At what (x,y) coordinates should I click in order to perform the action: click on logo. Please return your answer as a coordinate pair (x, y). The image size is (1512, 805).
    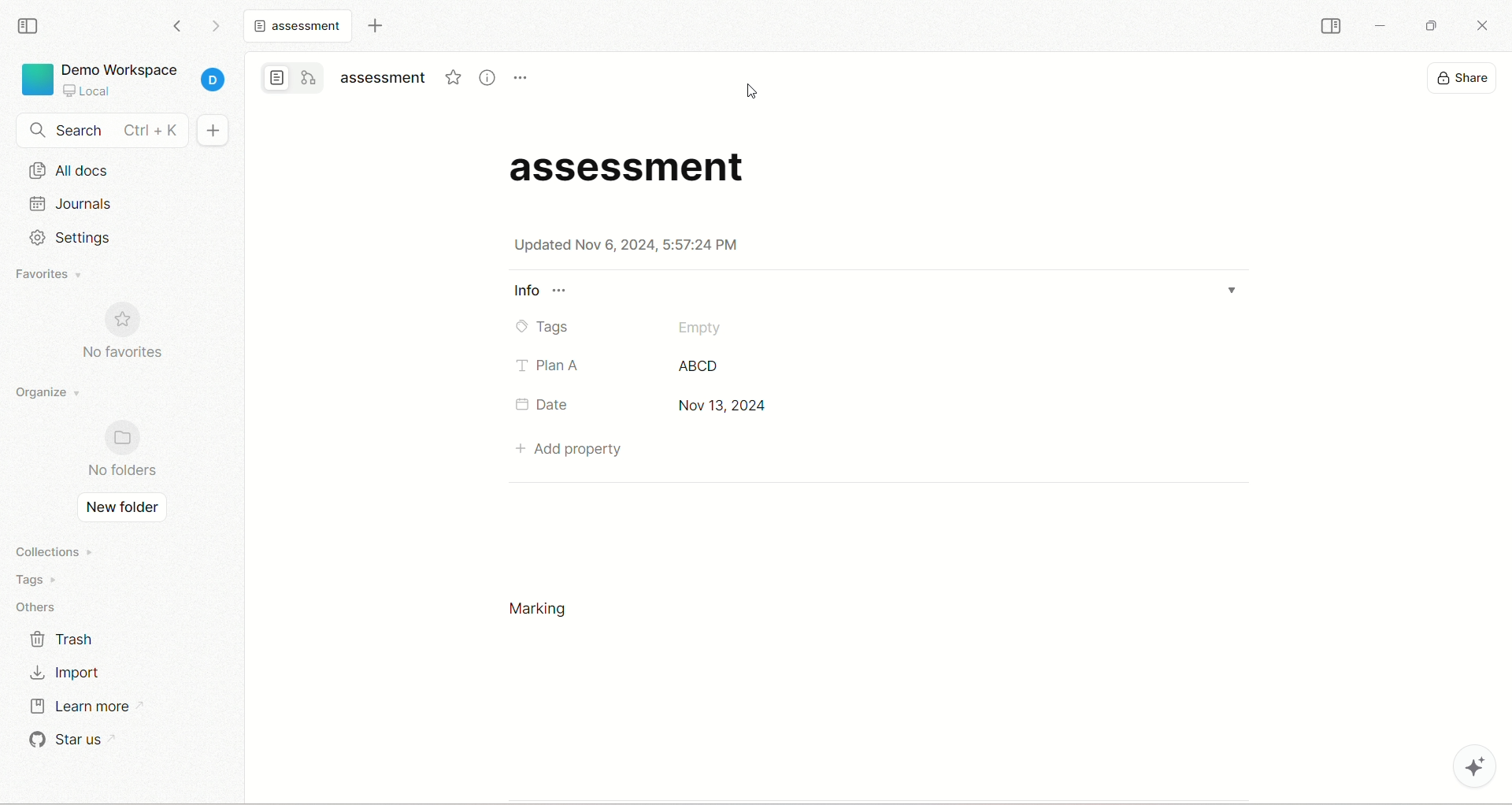
    Looking at the image, I should click on (35, 80).